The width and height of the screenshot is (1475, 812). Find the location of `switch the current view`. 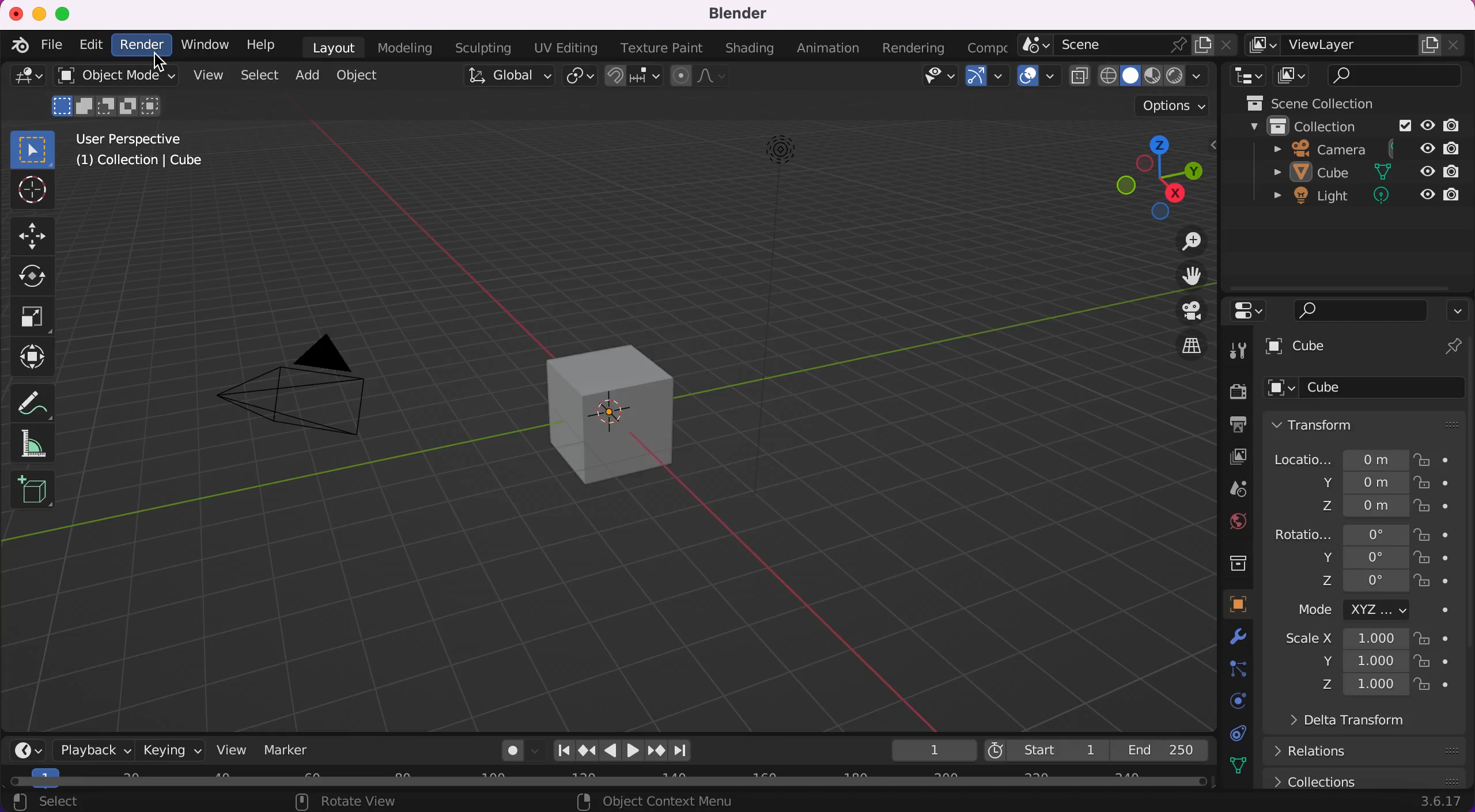

switch the current view is located at coordinates (1189, 343).